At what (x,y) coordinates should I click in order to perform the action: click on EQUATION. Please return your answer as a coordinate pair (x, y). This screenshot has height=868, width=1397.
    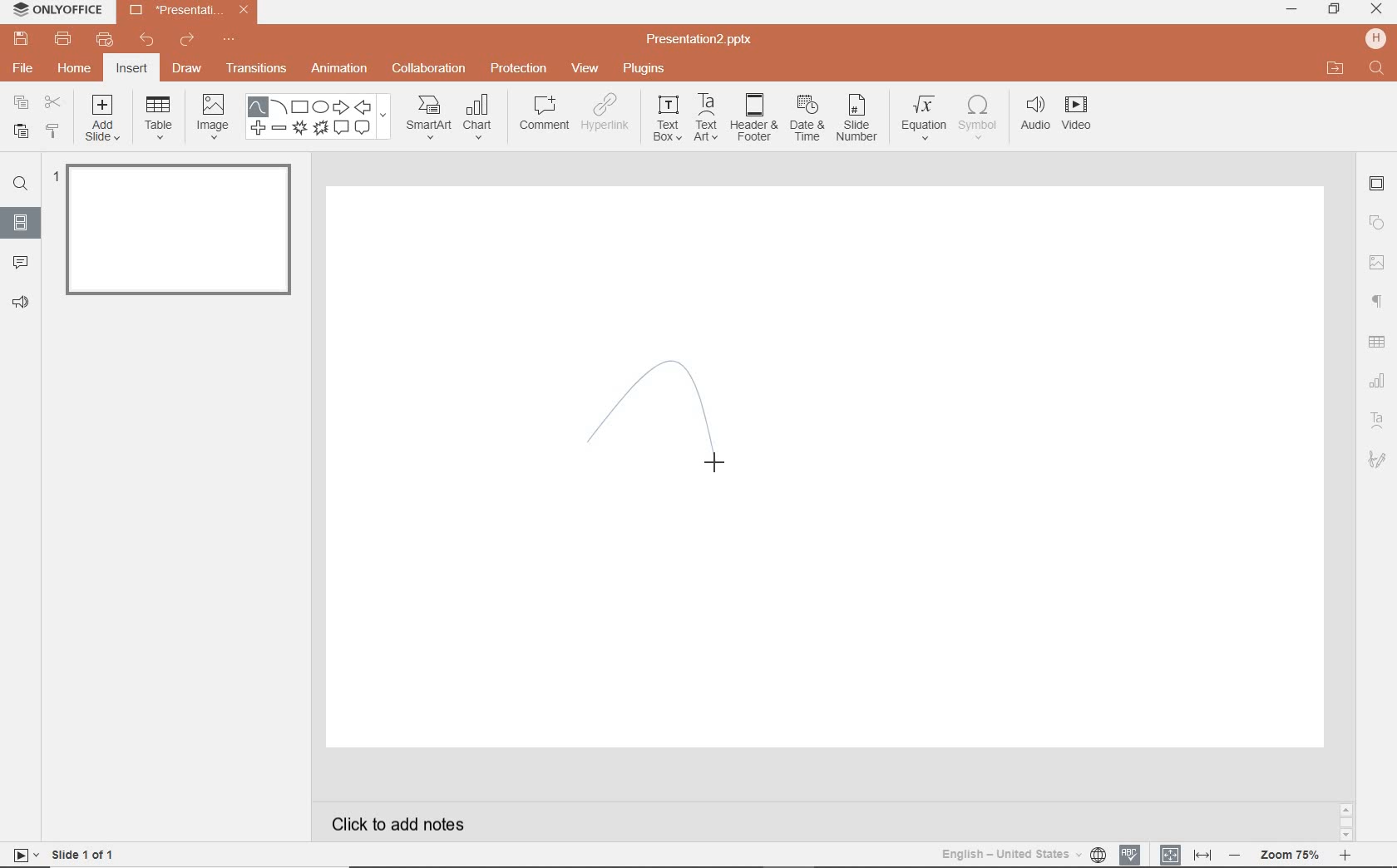
    Looking at the image, I should click on (924, 116).